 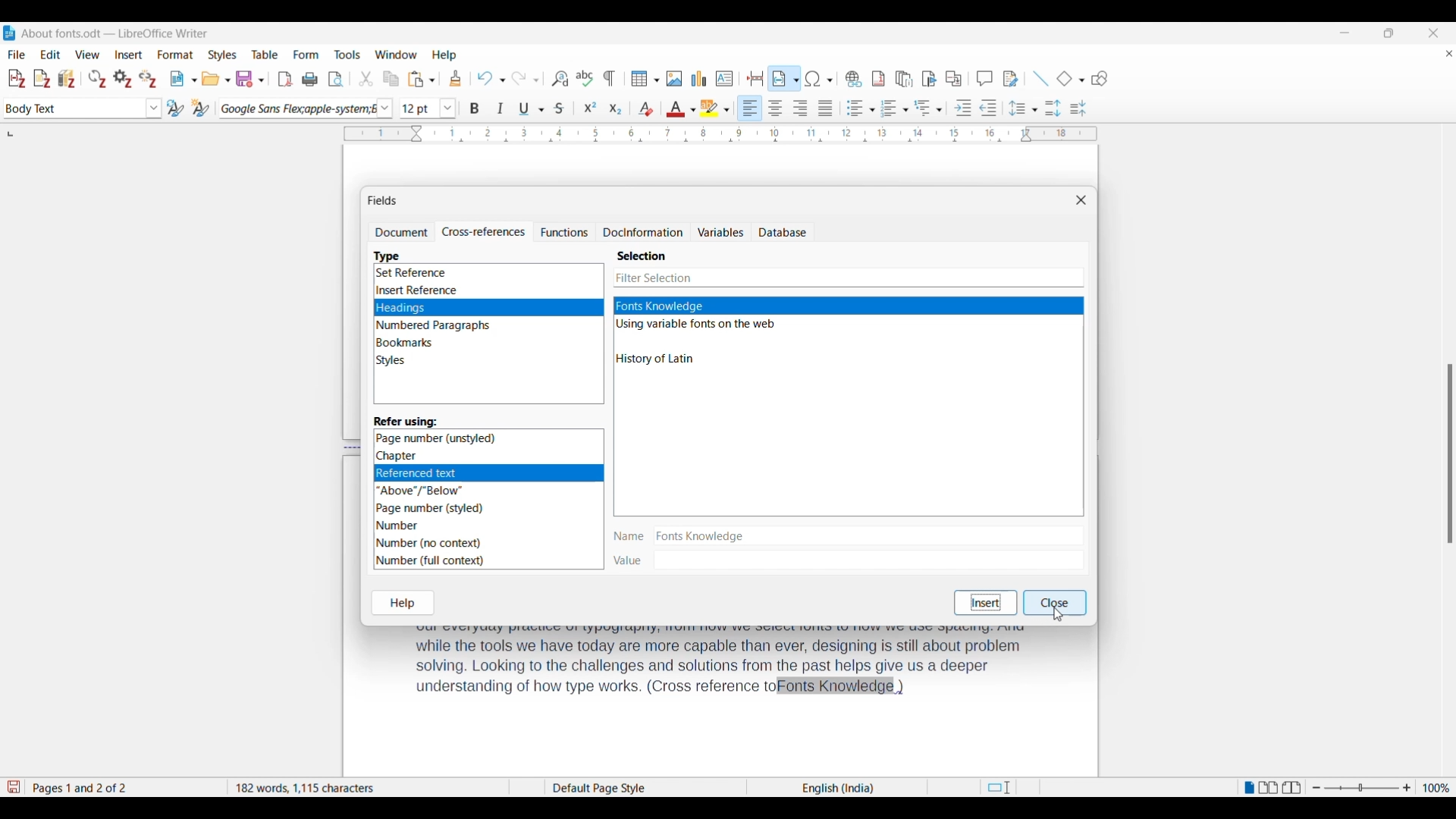 What do you see at coordinates (607, 786) in the screenshot?
I see `Default Page Style` at bounding box center [607, 786].